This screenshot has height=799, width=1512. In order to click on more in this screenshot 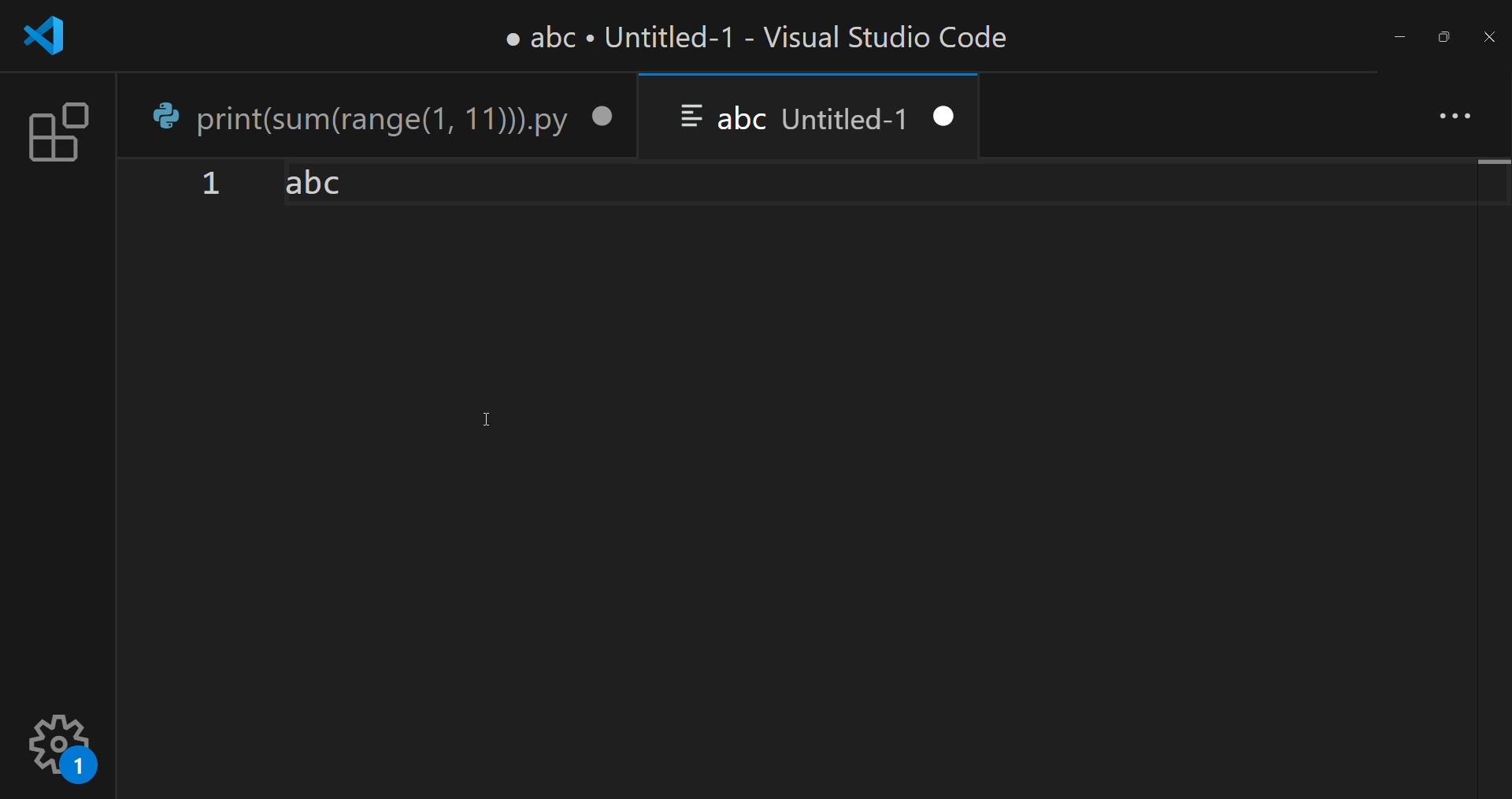, I will do `click(1451, 119)`.